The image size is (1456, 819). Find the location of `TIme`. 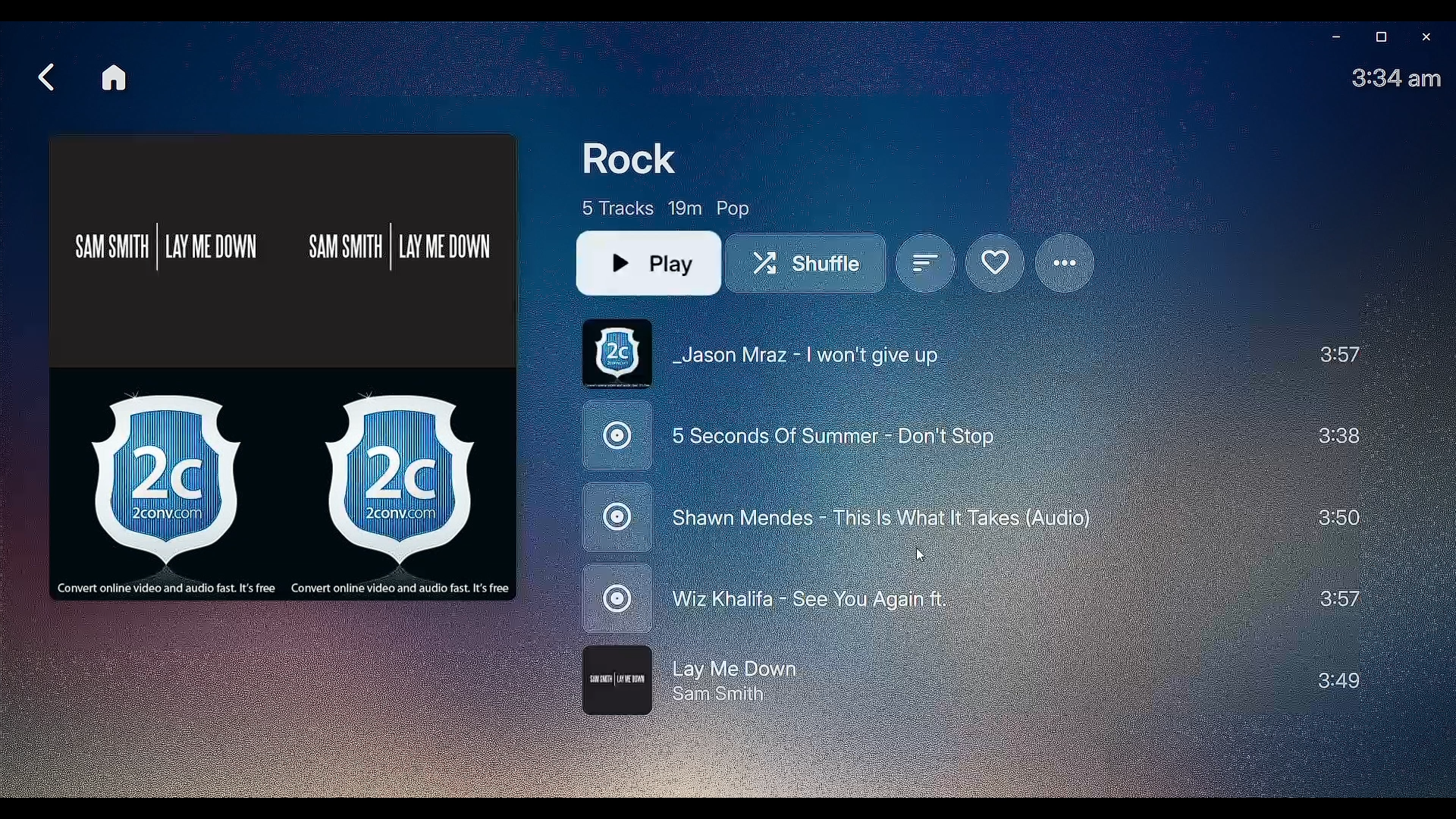

TIme is located at coordinates (1398, 78).